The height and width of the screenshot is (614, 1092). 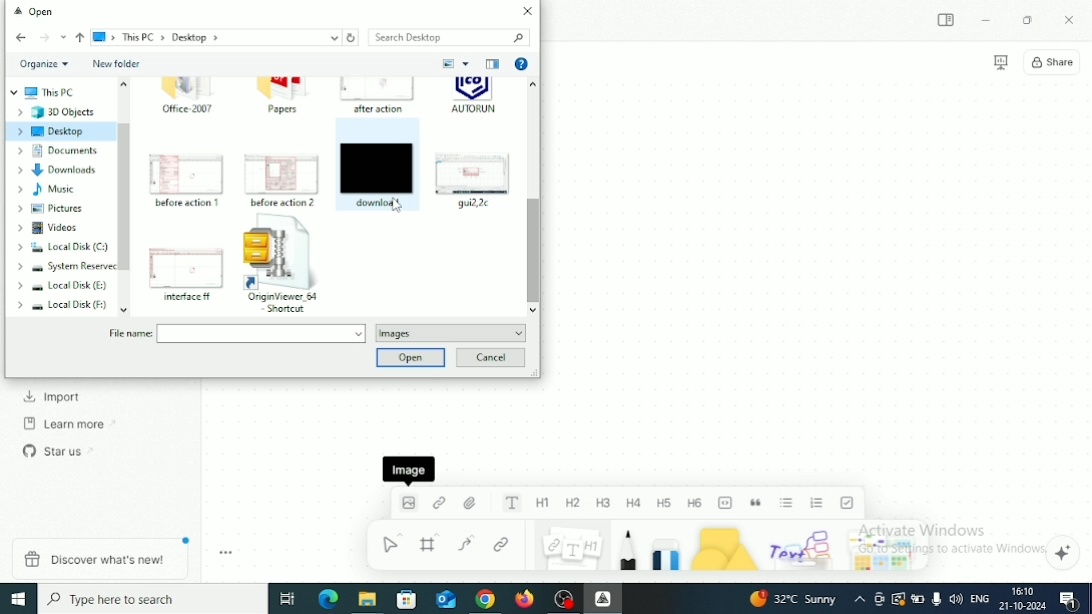 What do you see at coordinates (980, 597) in the screenshot?
I see `Language` at bounding box center [980, 597].